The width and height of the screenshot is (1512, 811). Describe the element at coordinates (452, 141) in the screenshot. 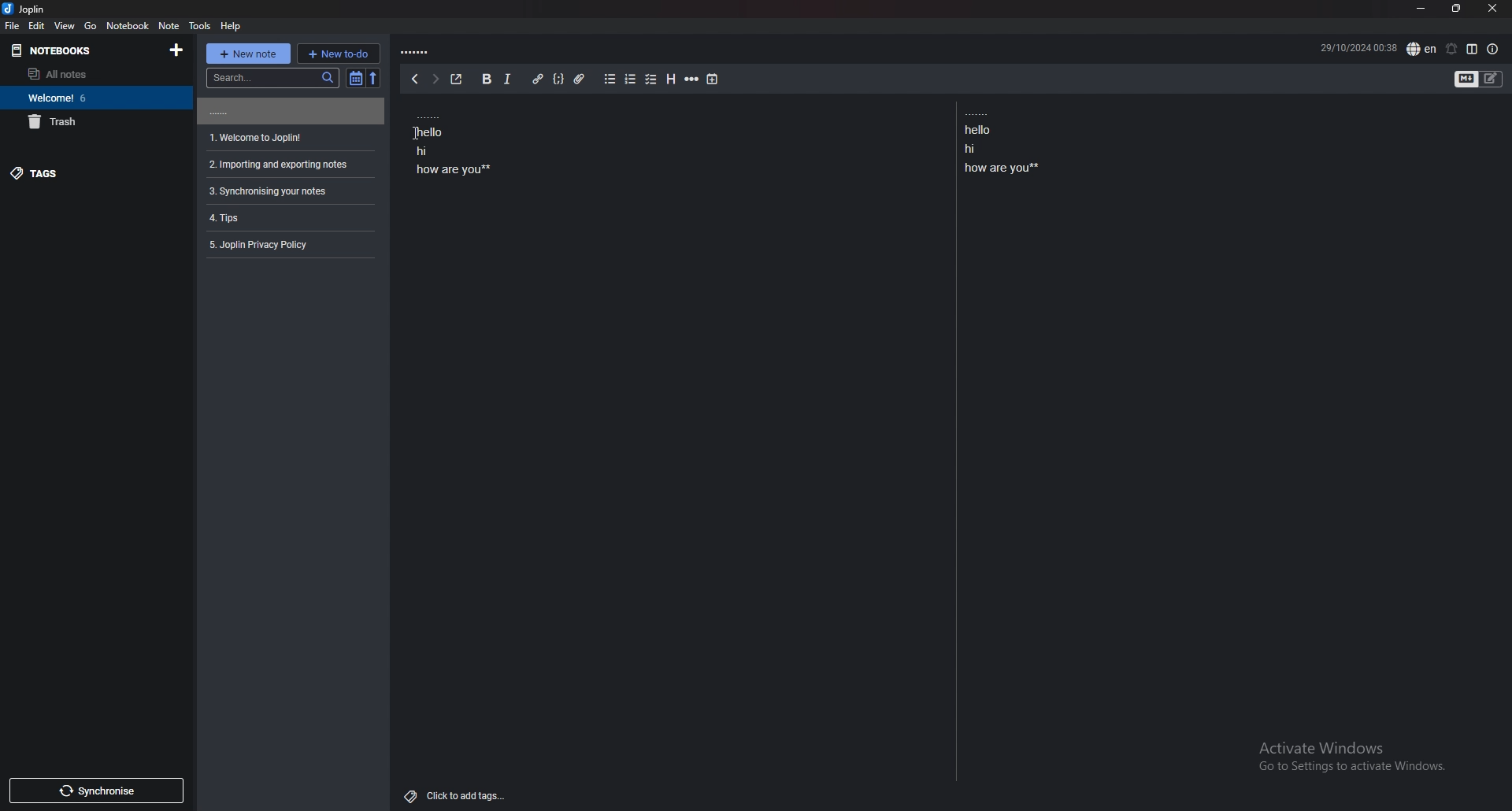

I see `note text` at that location.